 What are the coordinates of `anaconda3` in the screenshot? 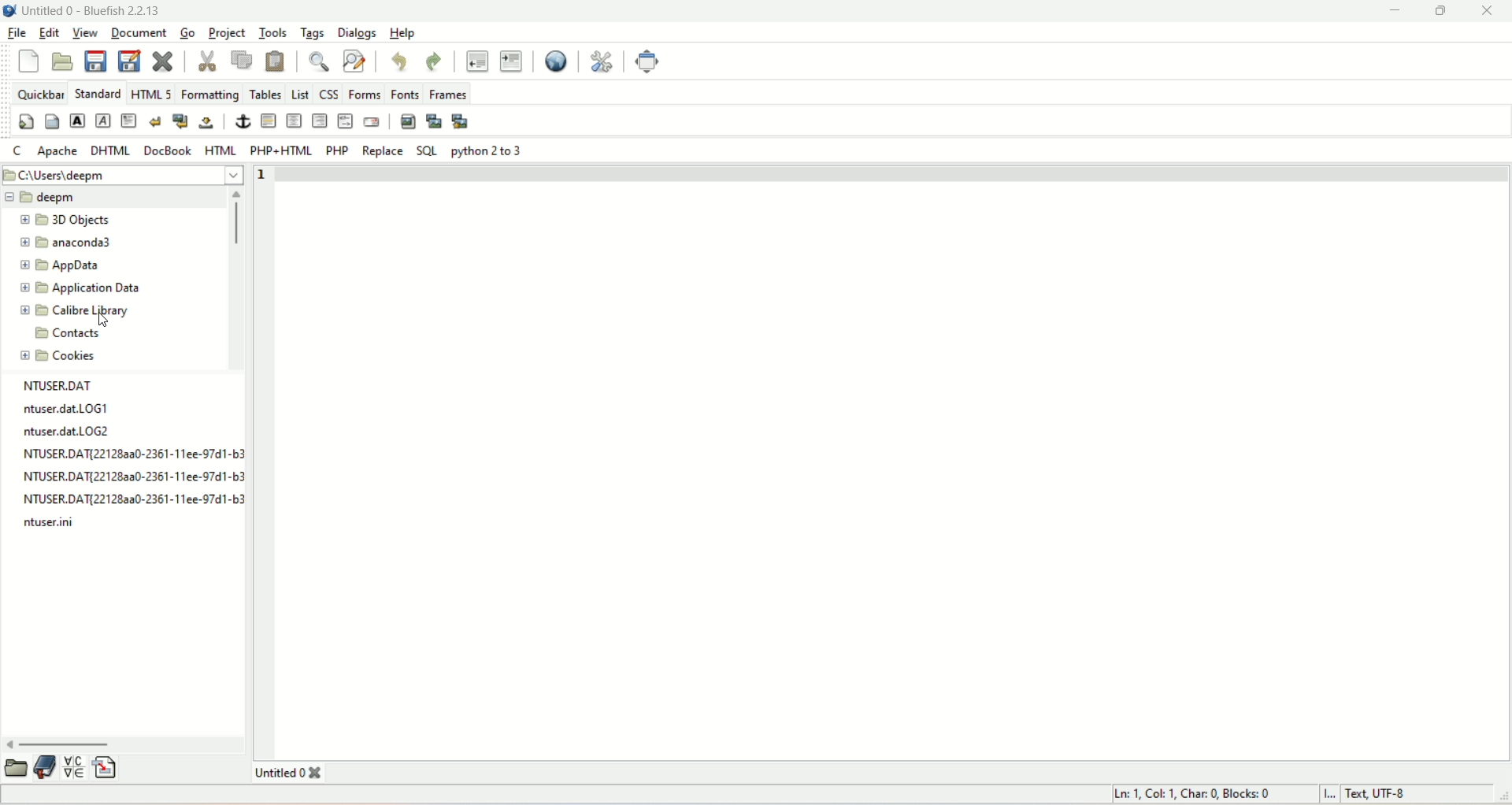 It's located at (65, 242).